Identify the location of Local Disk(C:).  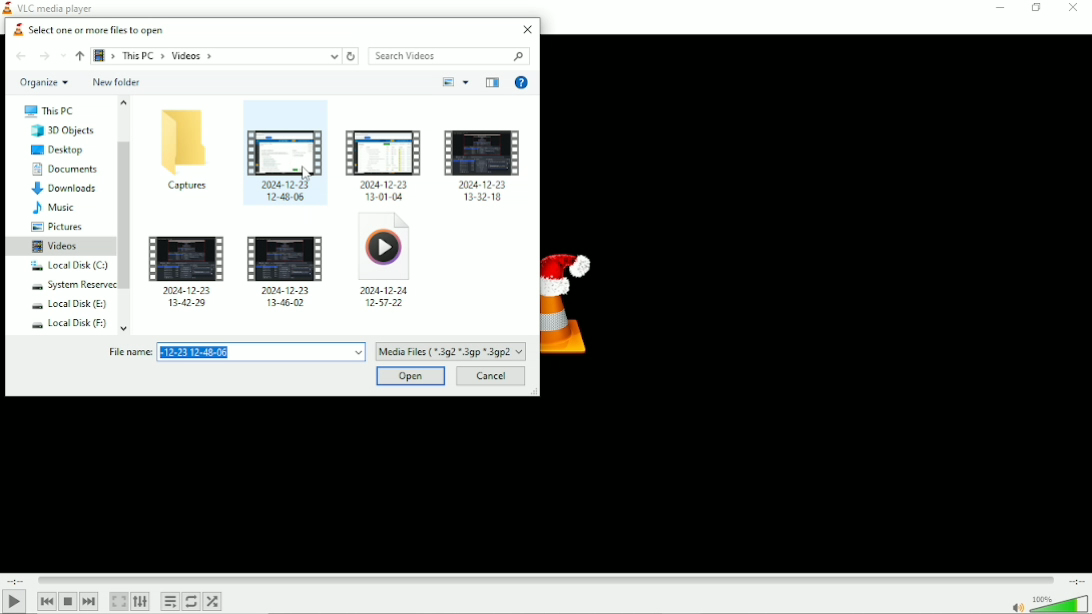
(67, 266).